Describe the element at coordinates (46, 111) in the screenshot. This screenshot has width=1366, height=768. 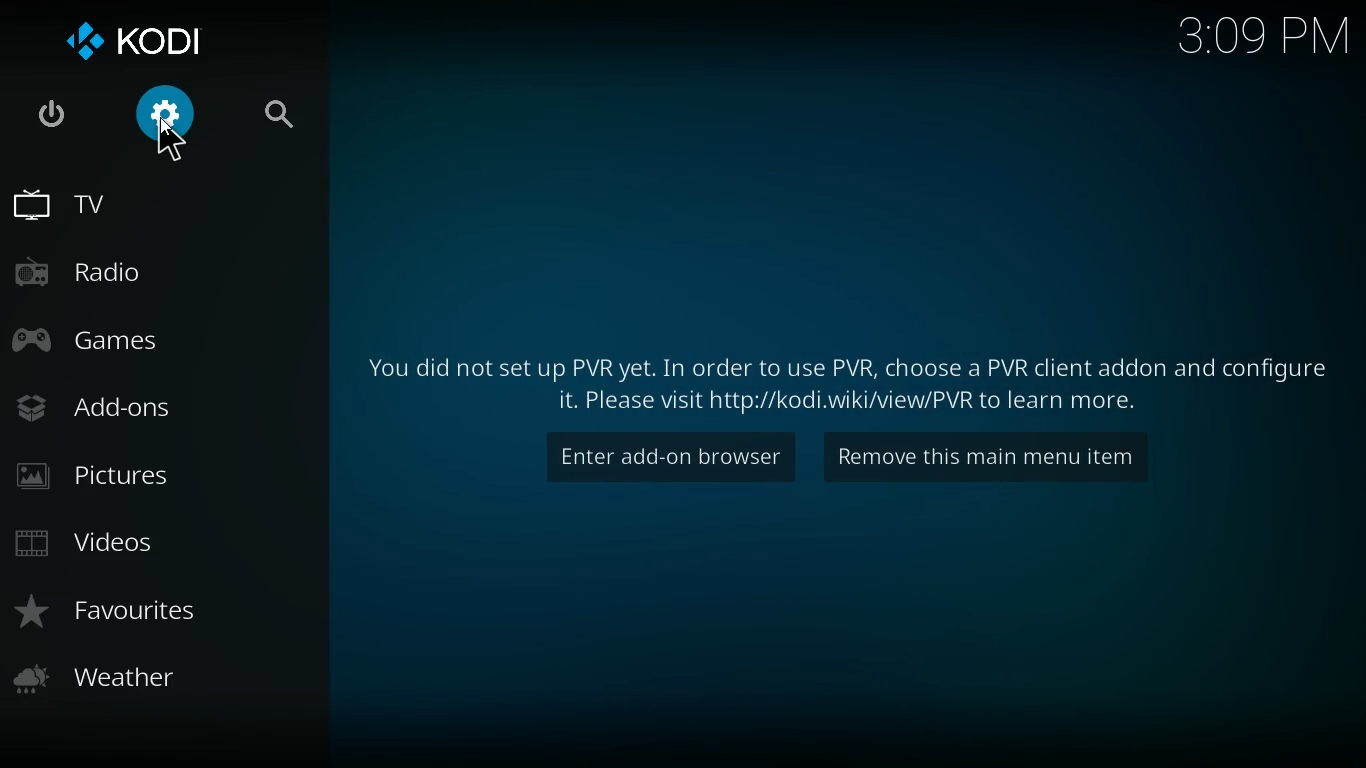
I see `power` at that location.